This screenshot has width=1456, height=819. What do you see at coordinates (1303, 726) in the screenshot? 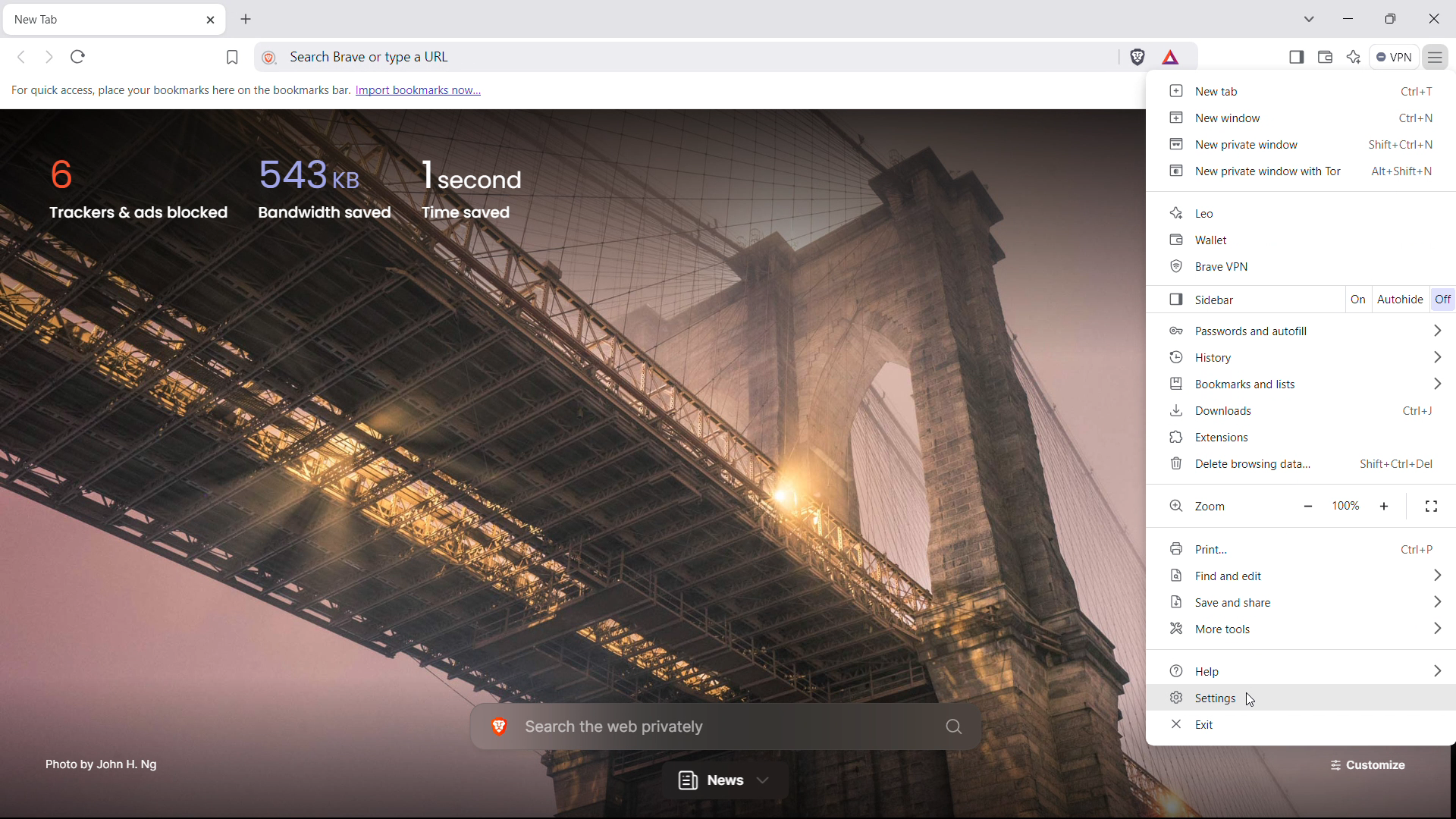
I see `exit` at bounding box center [1303, 726].